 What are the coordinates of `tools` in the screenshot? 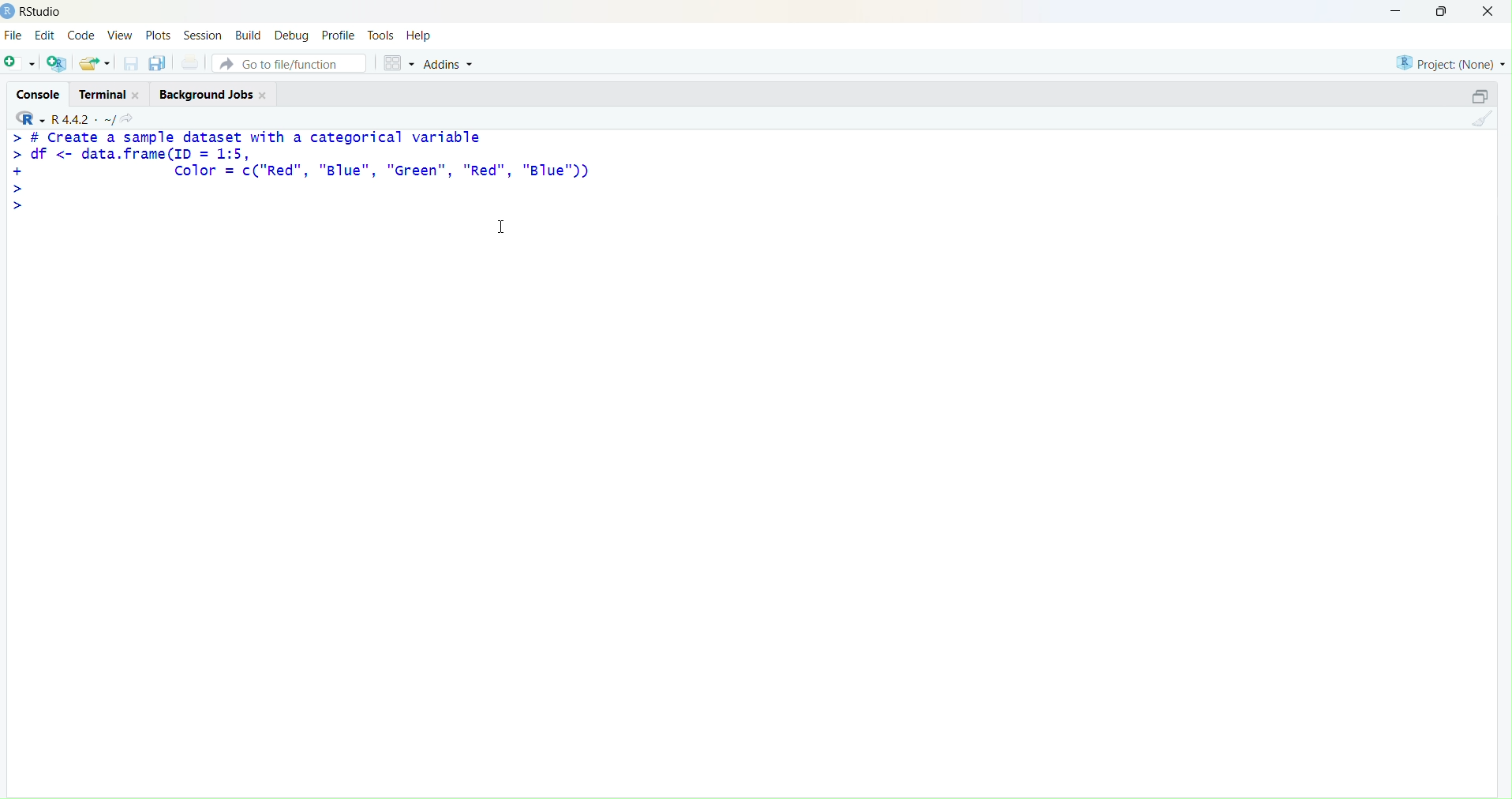 It's located at (381, 36).